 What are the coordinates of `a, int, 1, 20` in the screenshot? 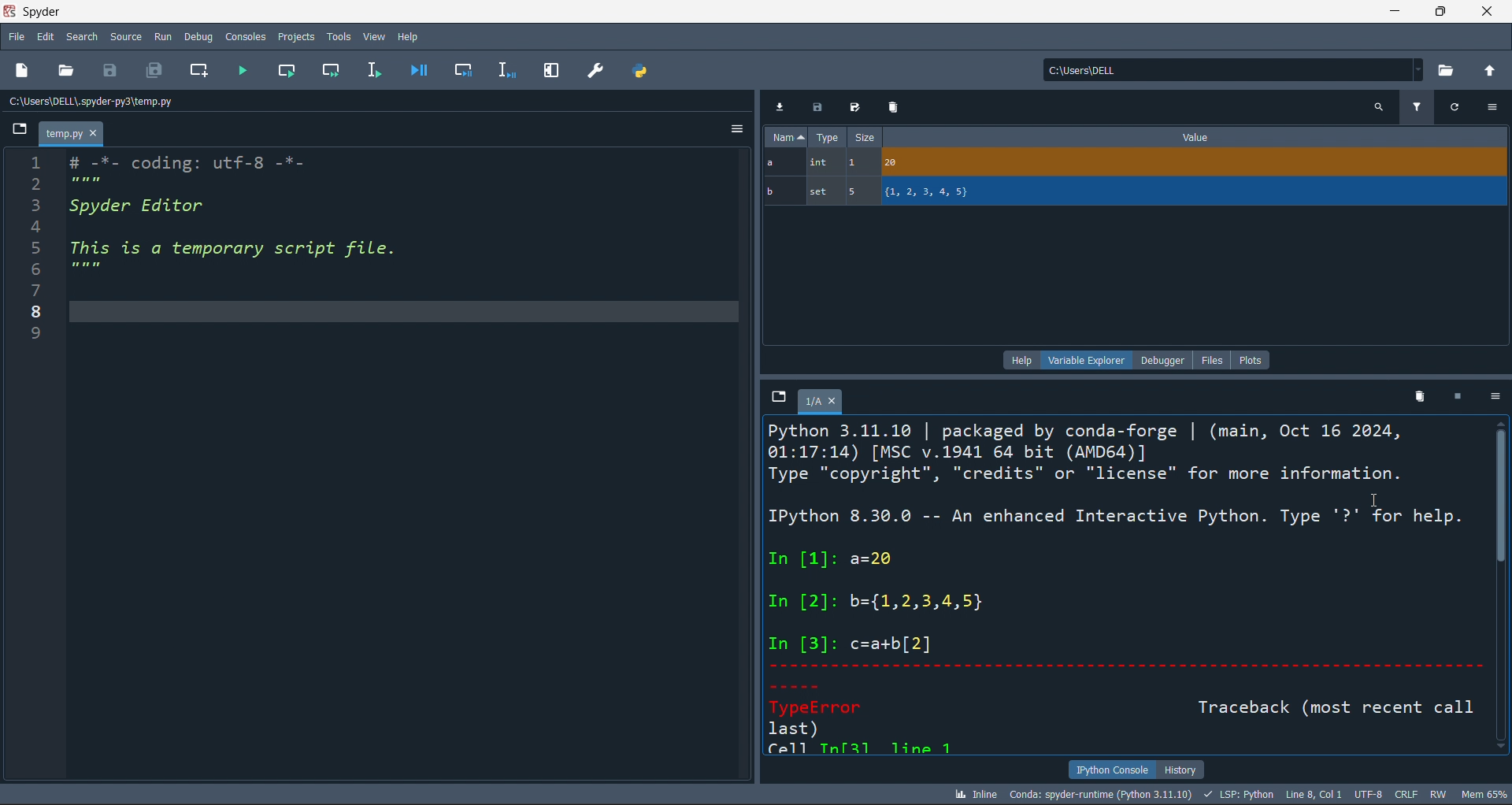 It's located at (1132, 164).